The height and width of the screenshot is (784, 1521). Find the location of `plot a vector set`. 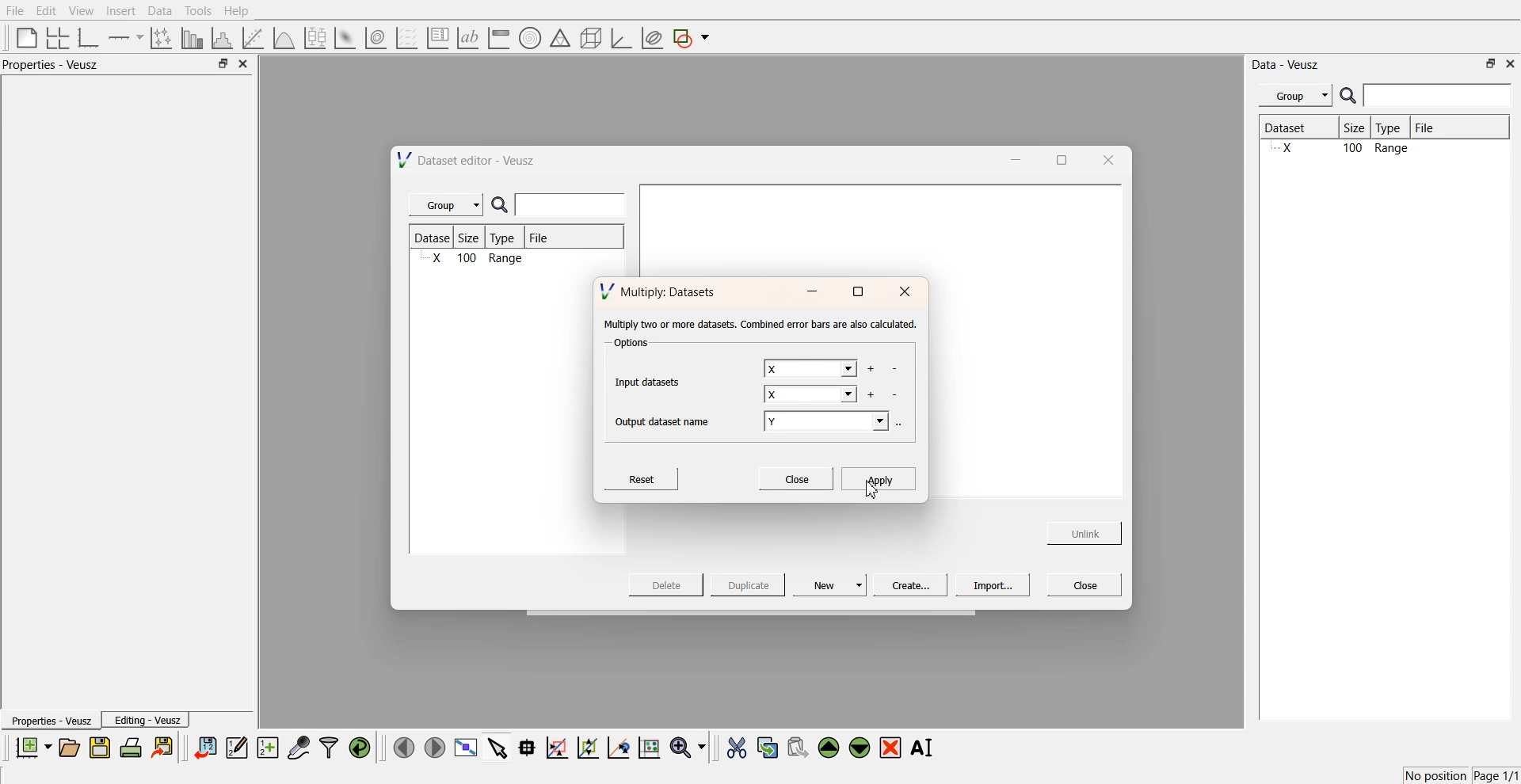

plot a vector set is located at coordinates (408, 38).